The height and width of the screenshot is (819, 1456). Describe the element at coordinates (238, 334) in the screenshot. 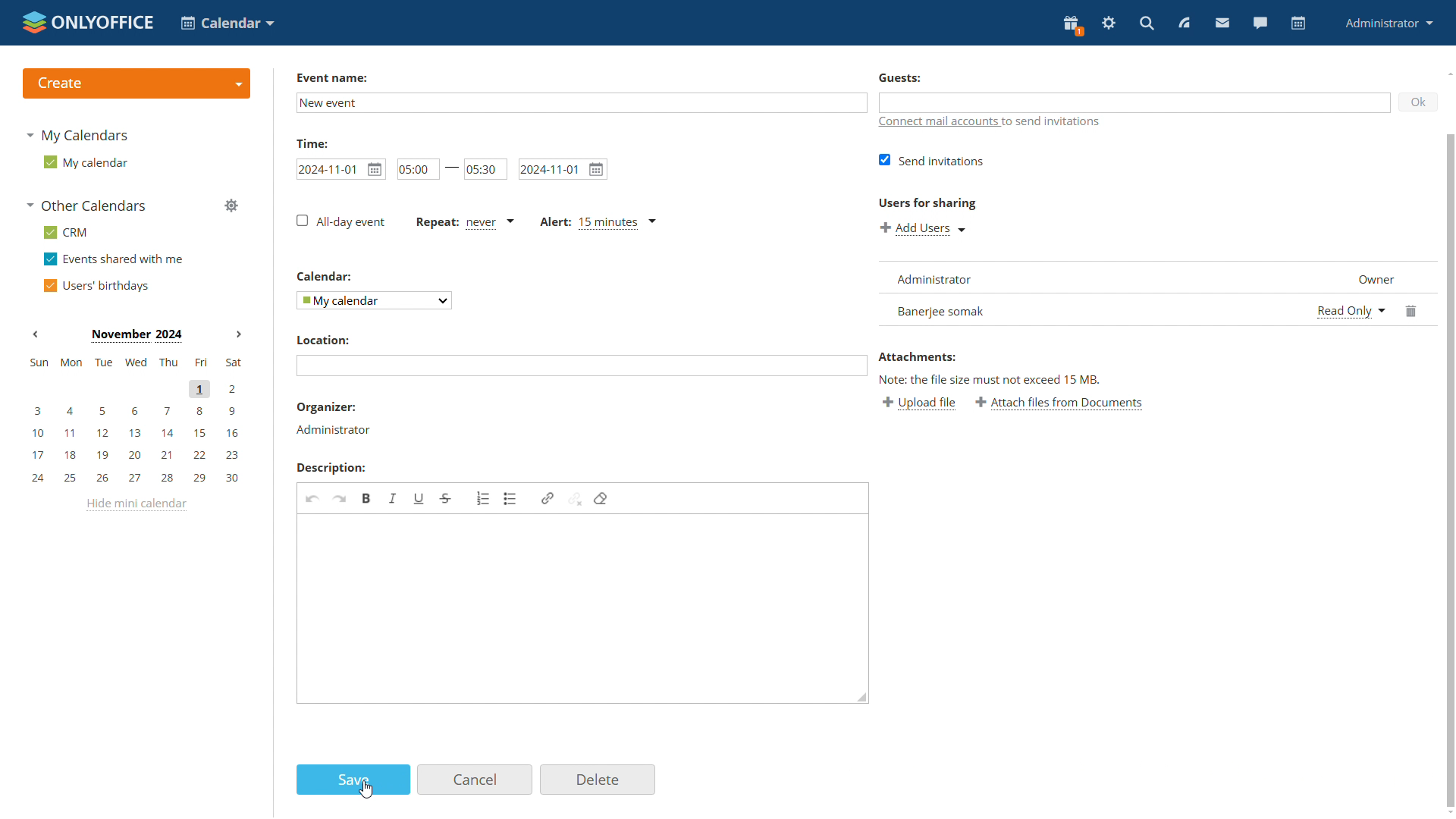

I see `Next month` at that location.